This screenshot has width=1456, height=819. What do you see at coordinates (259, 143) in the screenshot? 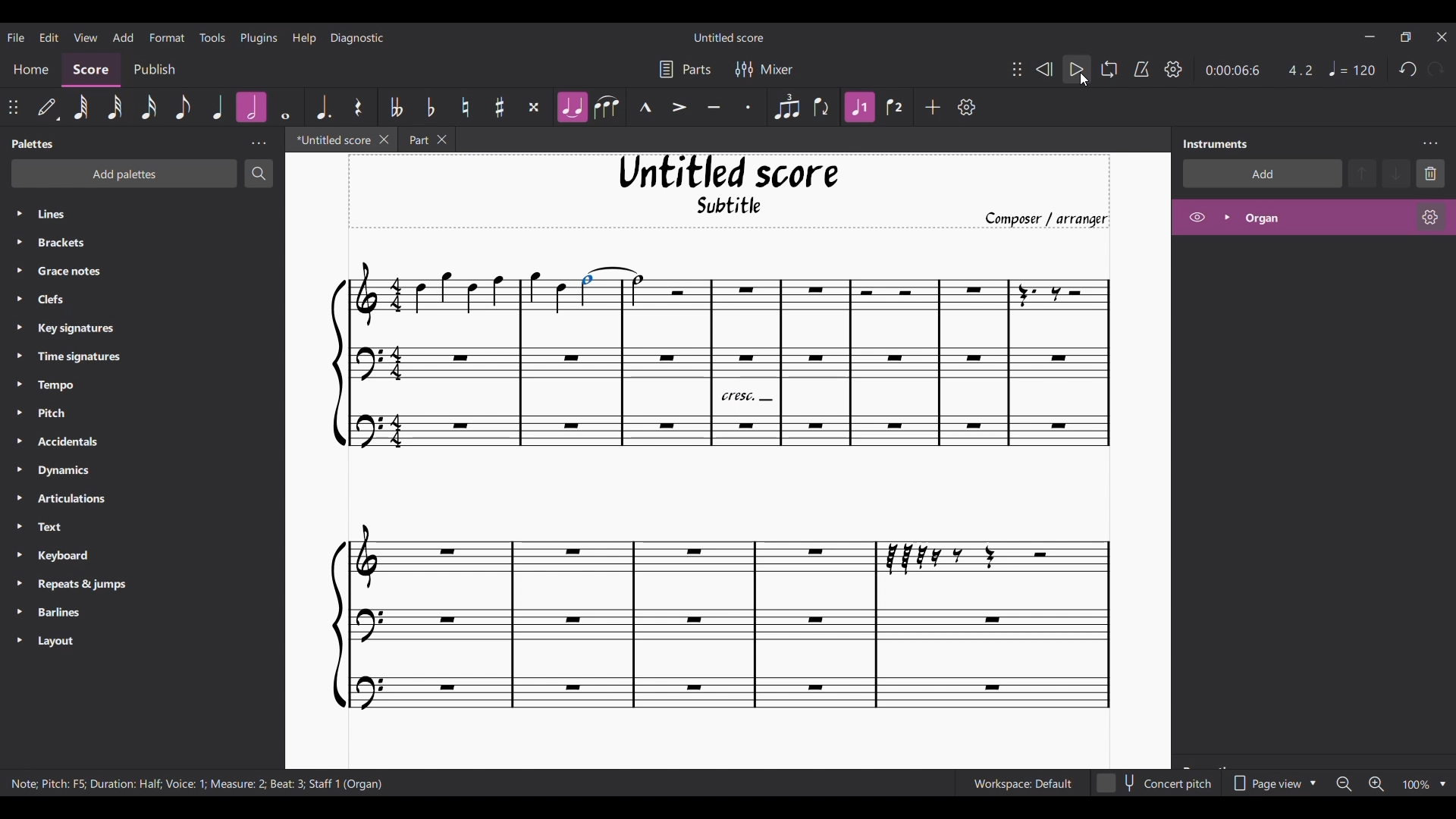
I see `Palette panel settings` at bounding box center [259, 143].